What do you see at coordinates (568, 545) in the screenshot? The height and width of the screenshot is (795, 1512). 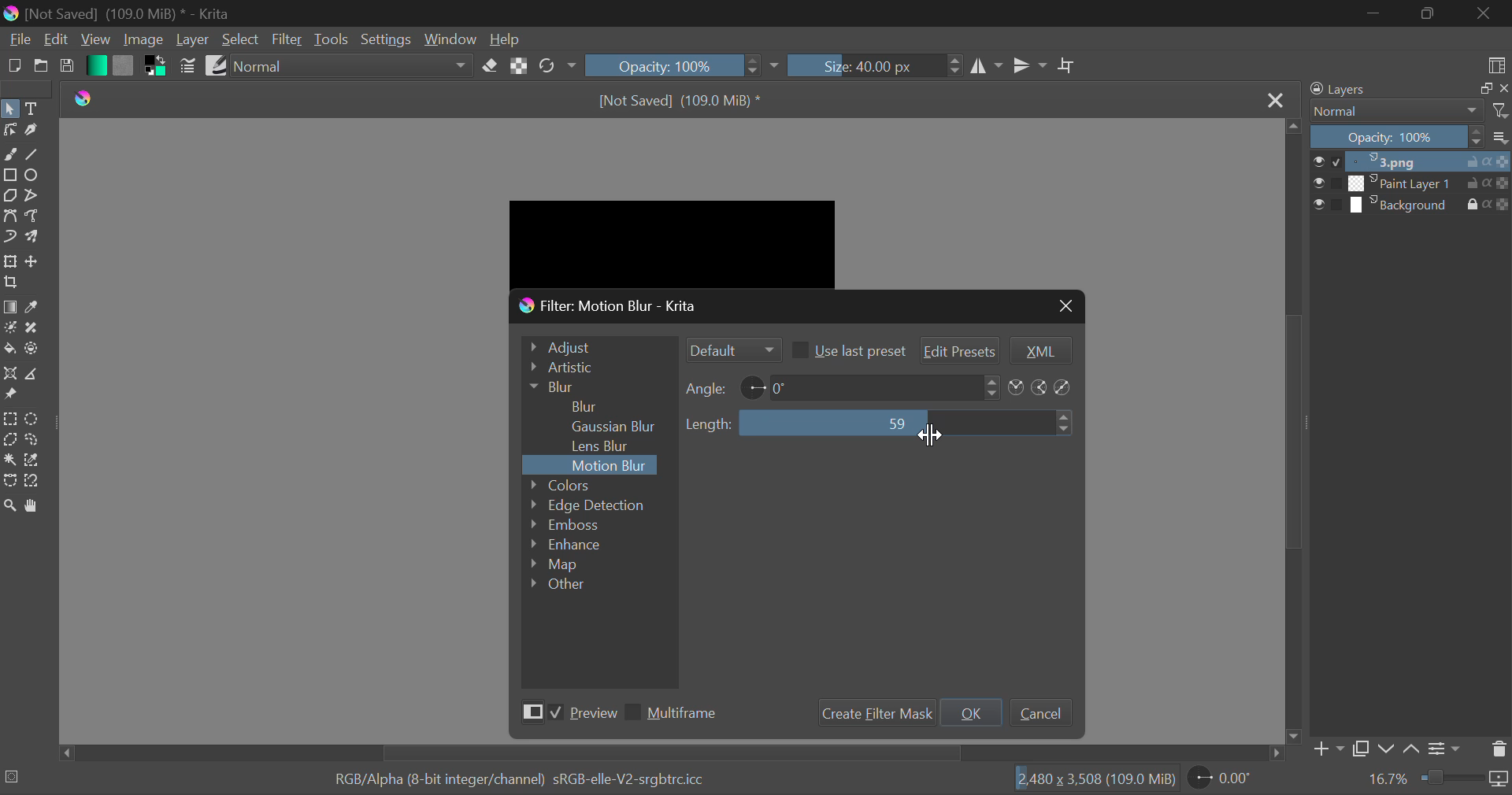 I see `Enhance` at bounding box center [568, 545].